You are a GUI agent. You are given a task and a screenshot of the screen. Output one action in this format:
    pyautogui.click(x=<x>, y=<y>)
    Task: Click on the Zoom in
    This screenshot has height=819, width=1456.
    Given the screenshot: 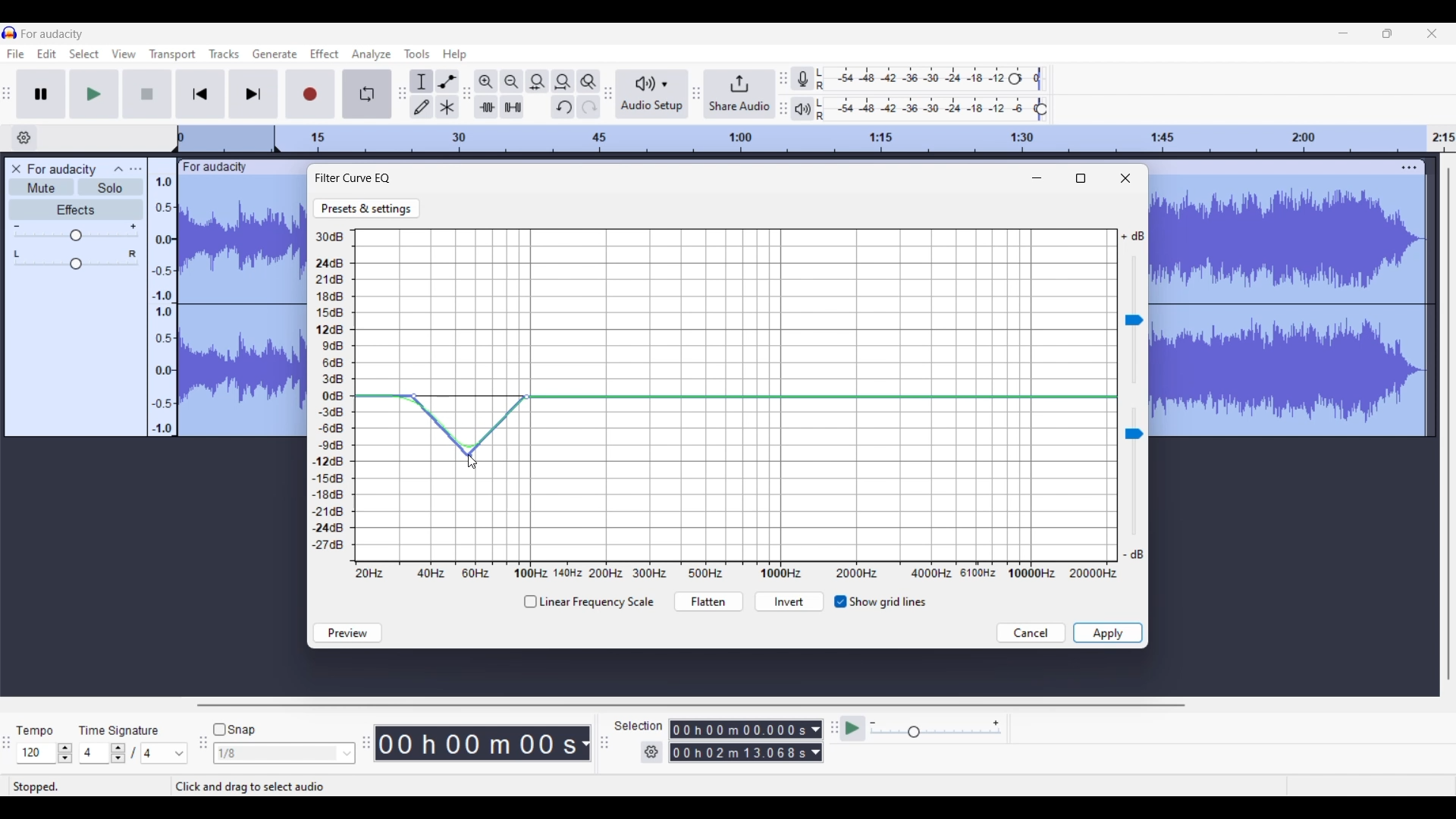 What is the action you would take?
    pyautogui.click(x=486, y=81)
    